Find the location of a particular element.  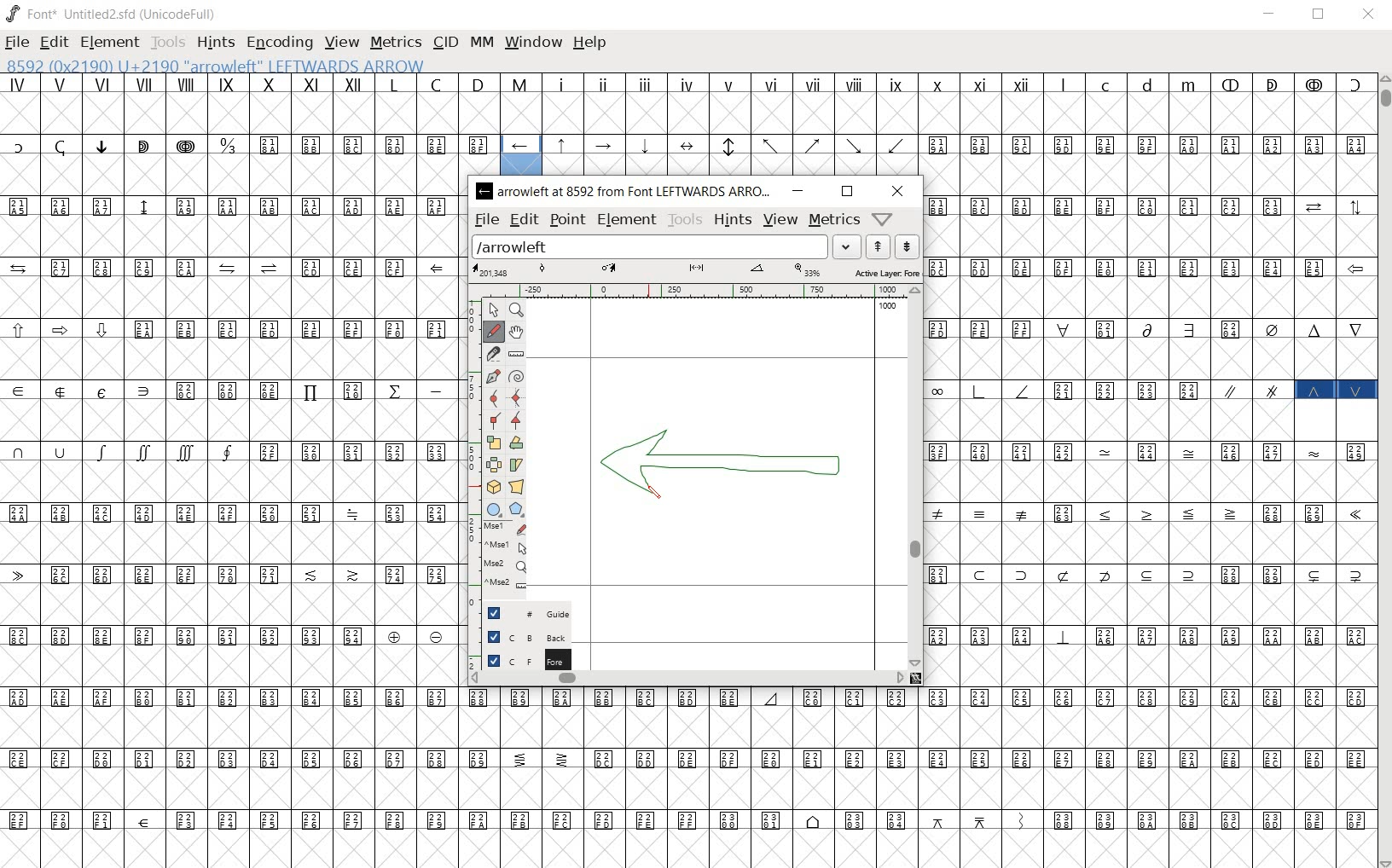

restore is located at coordinates (848, 192).